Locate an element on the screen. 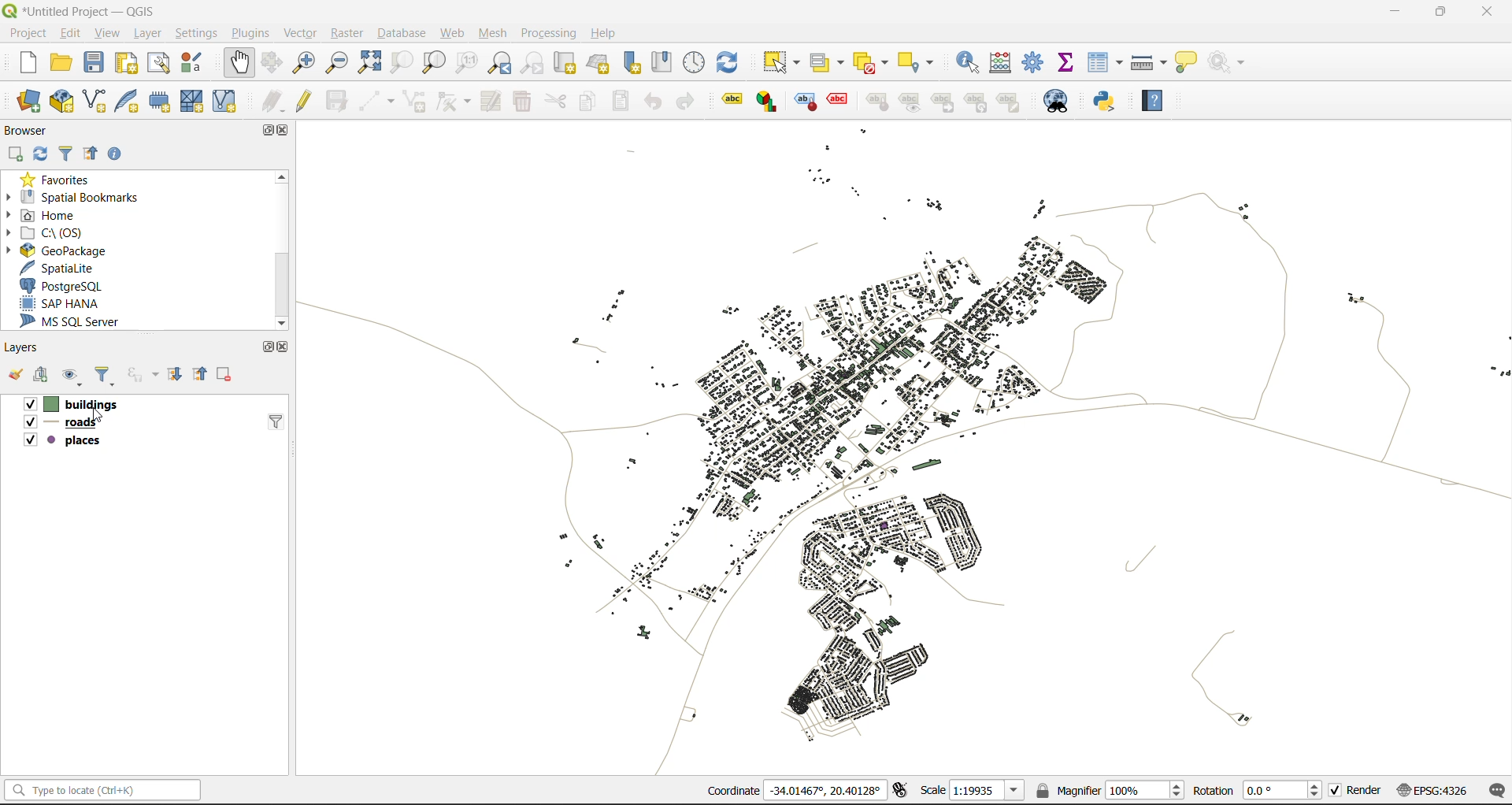  coordinates is located at coordinates (797, 792).